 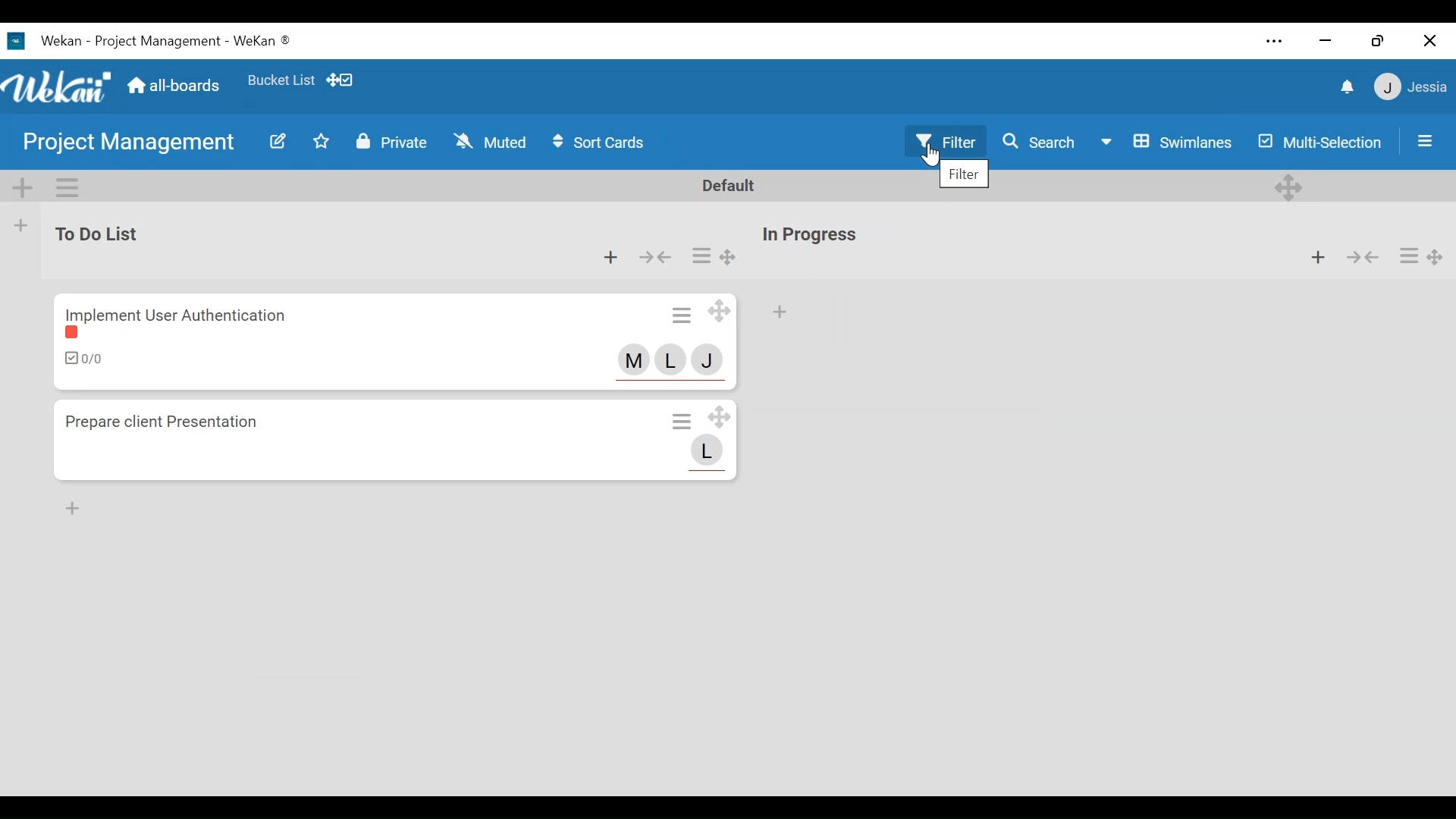 I want to click on Wekan Logo, so click(x=58, y=85).